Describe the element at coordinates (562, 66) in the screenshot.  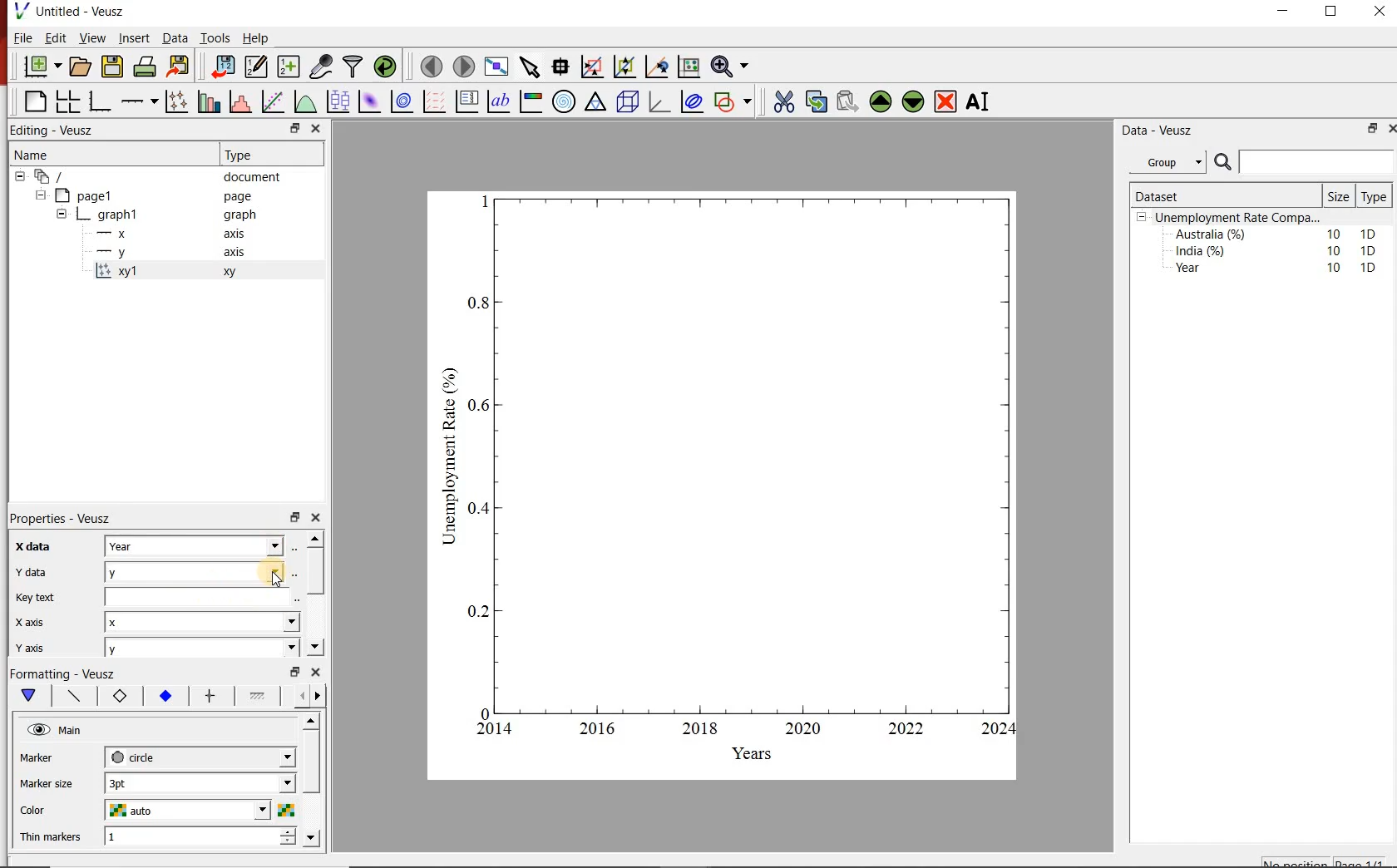
I see `read the data points` at that location.